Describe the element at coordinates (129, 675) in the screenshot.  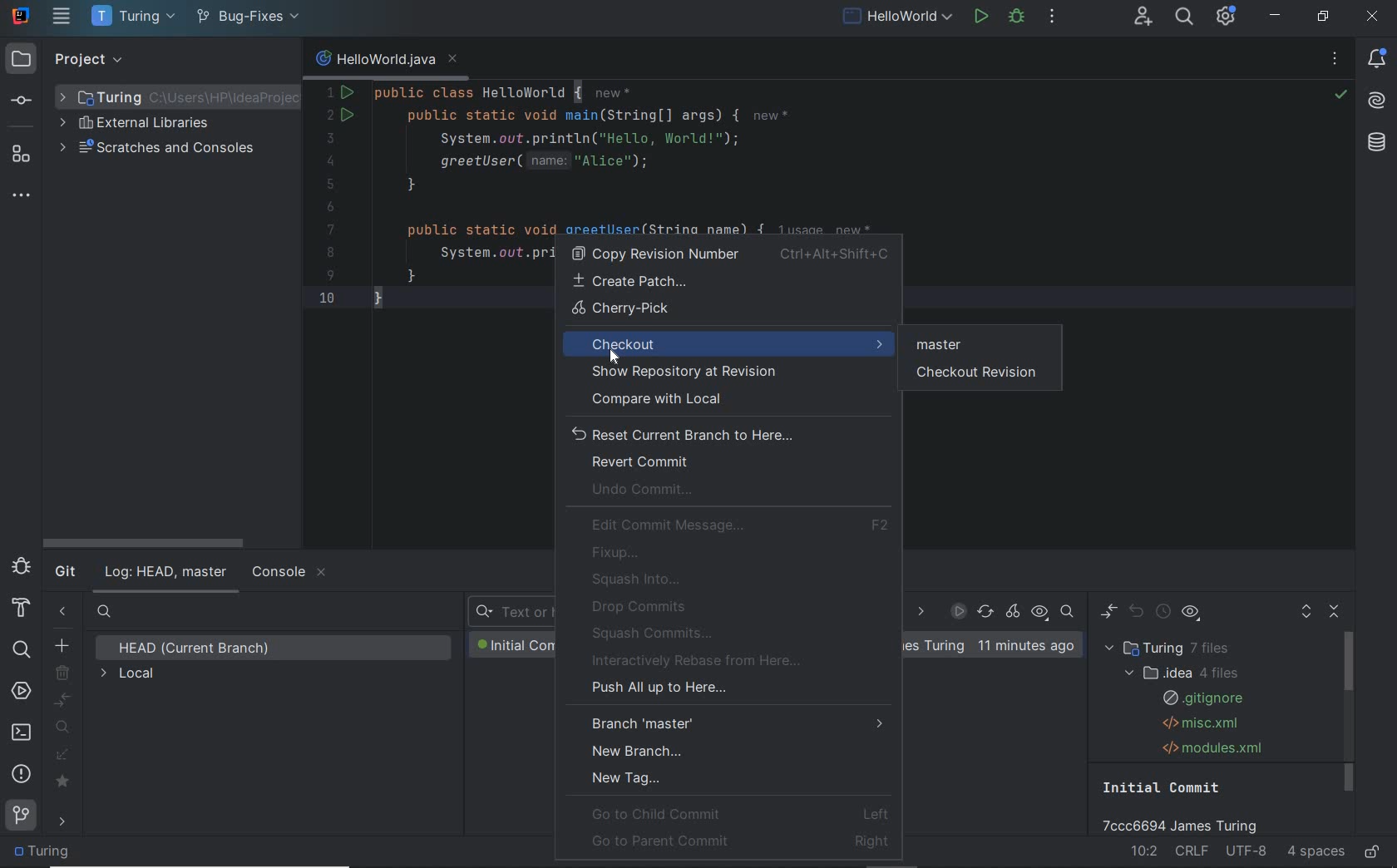
I see `LOCAL` at that location.